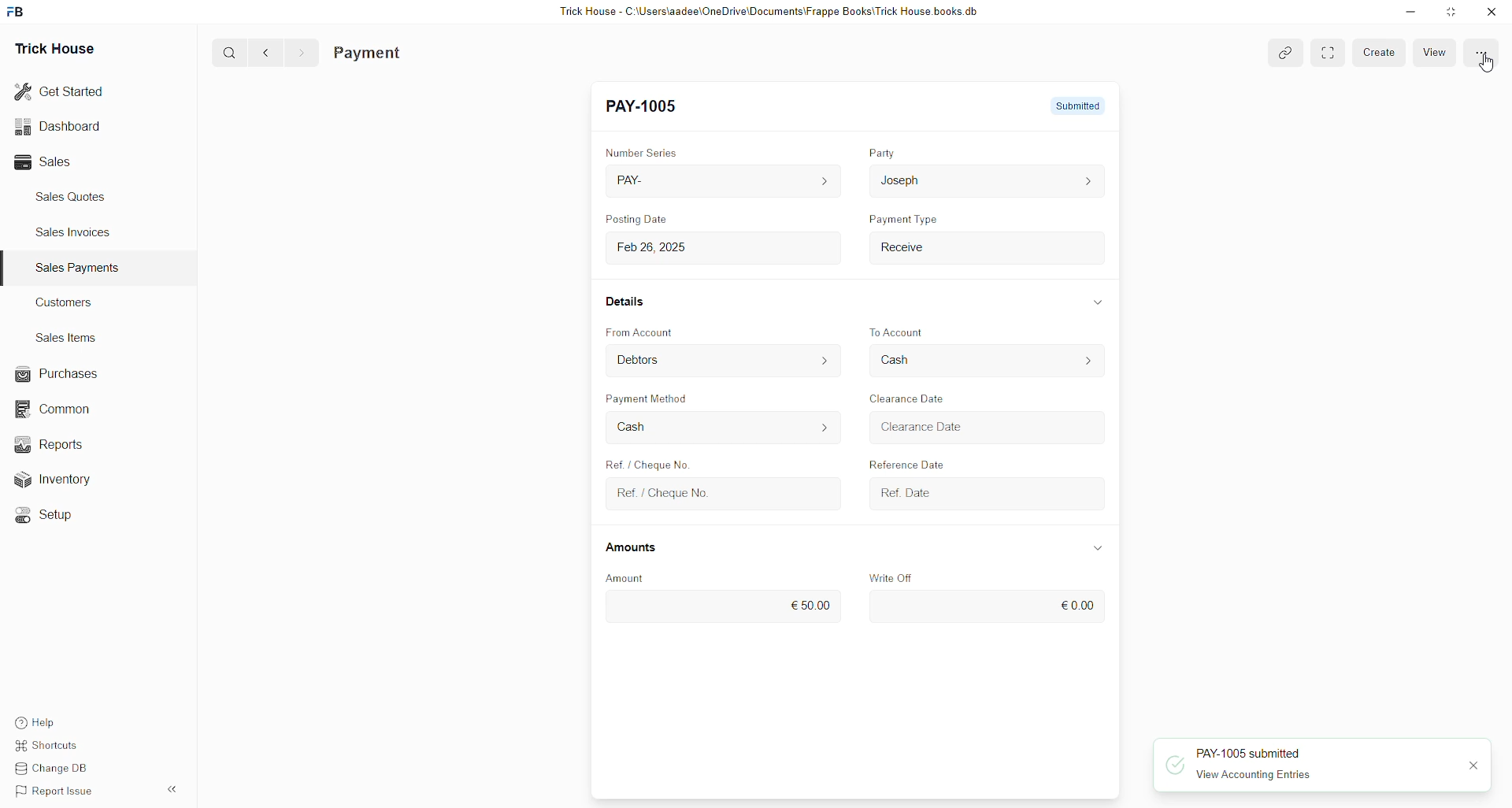 Image resolution: width=1512 pixels, height=808 pixels. What do you see at coordinates (1247, 753) in the screenshot?
I see `PAY-1005 submitted` at bounding box center [1247, 753].